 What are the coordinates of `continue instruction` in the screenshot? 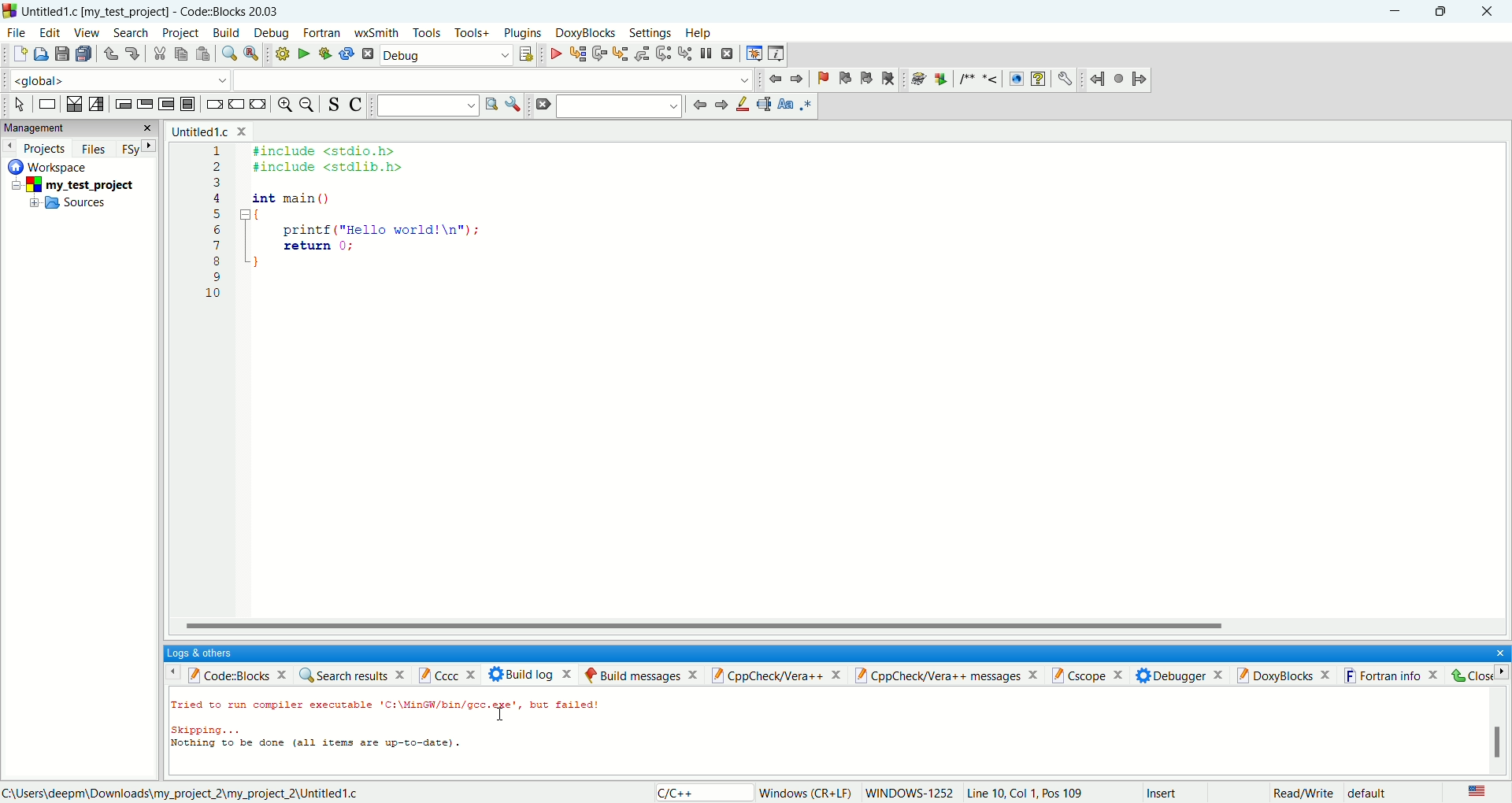 It's located at (237, 103).